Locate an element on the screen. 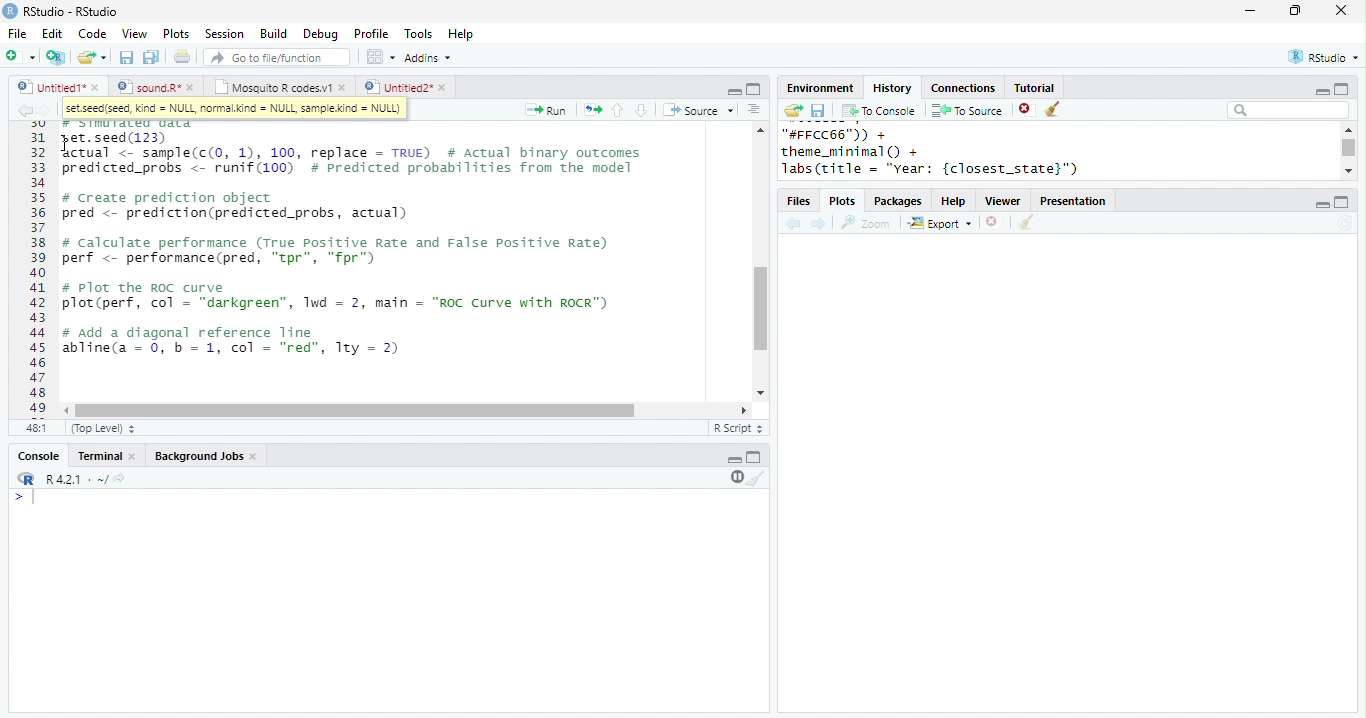 This screenshot has width=1366, height=718. close is located at coordinates (344, 87).